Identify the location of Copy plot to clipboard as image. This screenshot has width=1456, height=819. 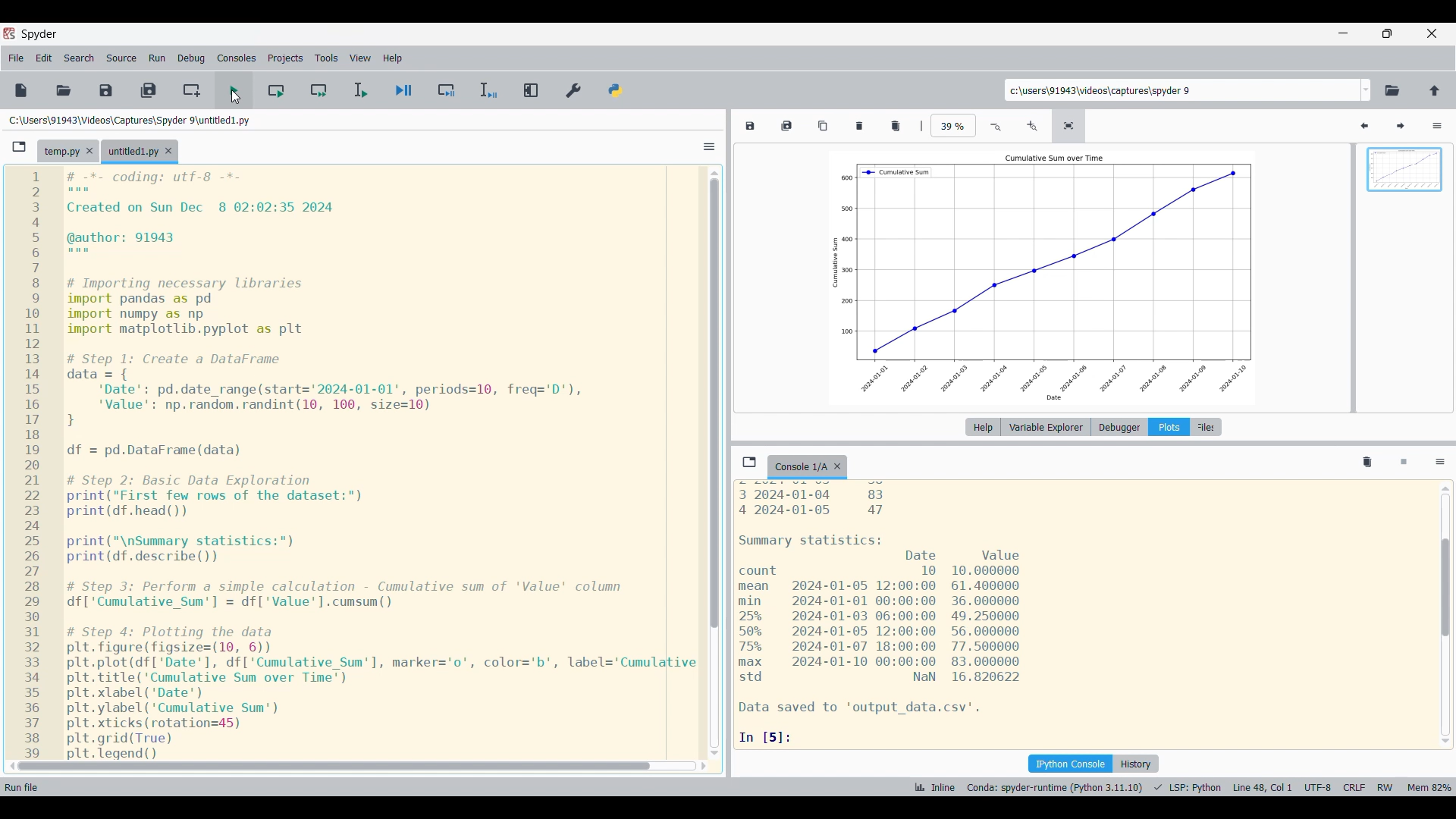
(823, 126).